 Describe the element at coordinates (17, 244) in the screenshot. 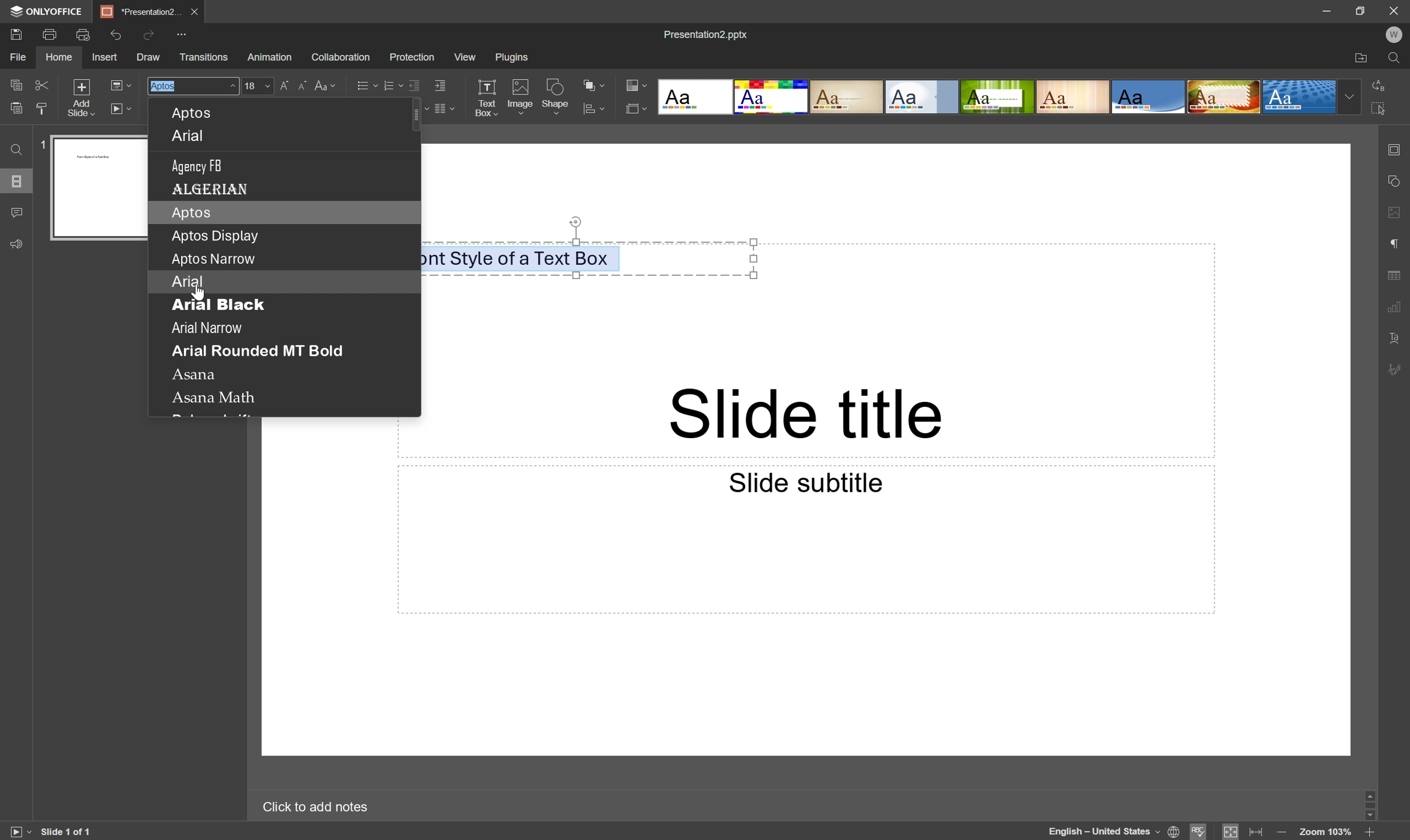

I see `Feedback & Support` at that location.